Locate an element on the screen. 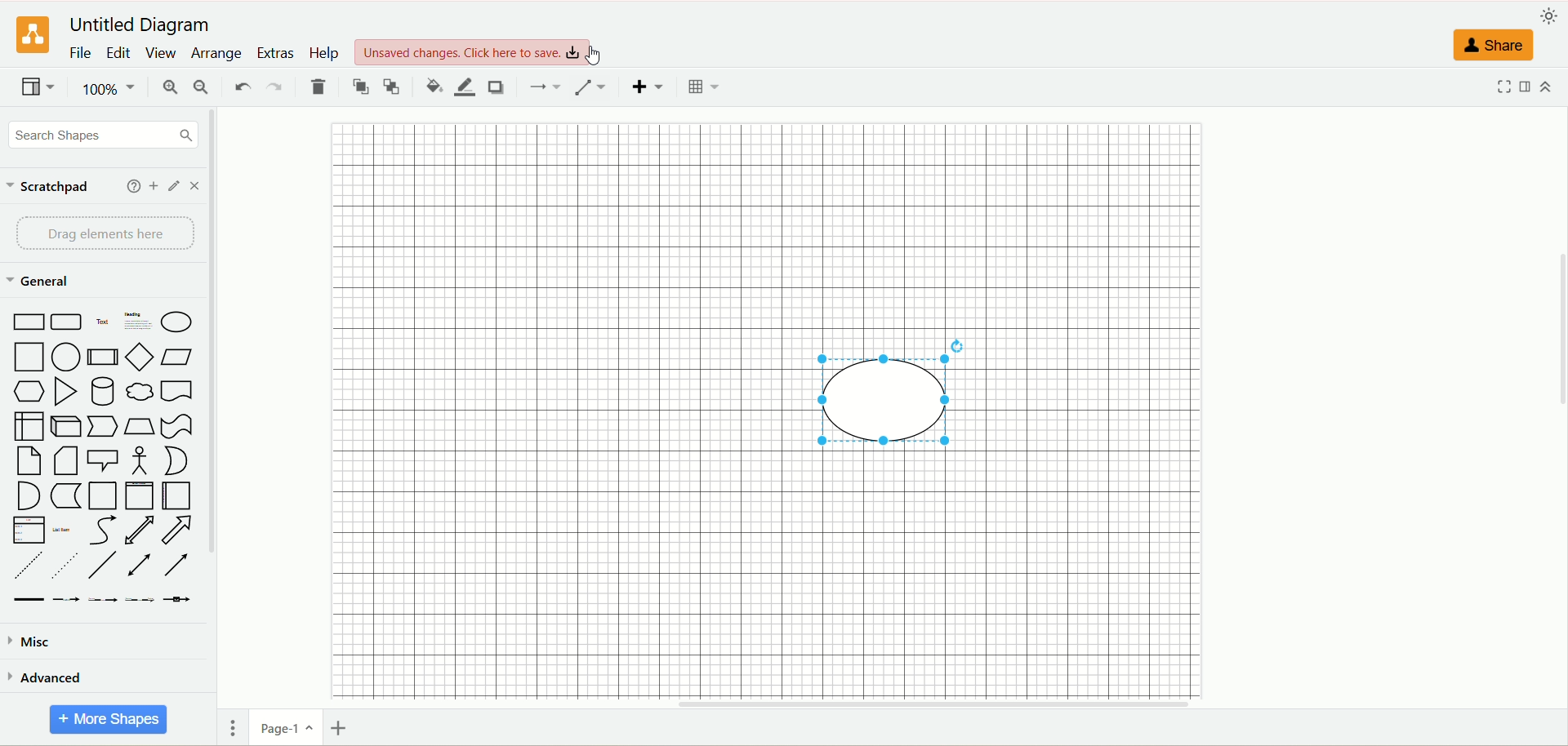 The height and width of the screenshot is (746, 1568). container is located at coordinates (102, 496).